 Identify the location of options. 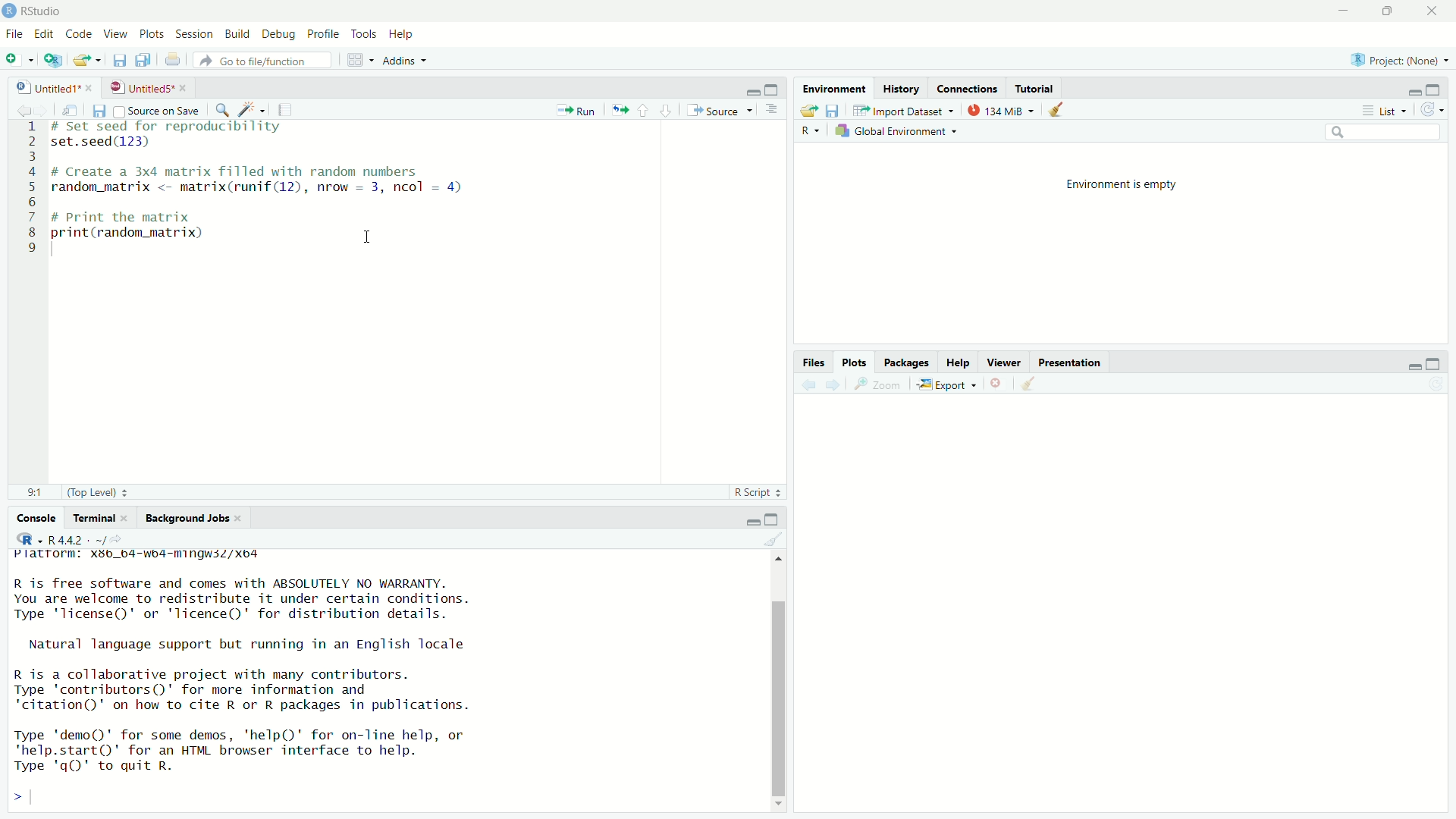
(771, 111).